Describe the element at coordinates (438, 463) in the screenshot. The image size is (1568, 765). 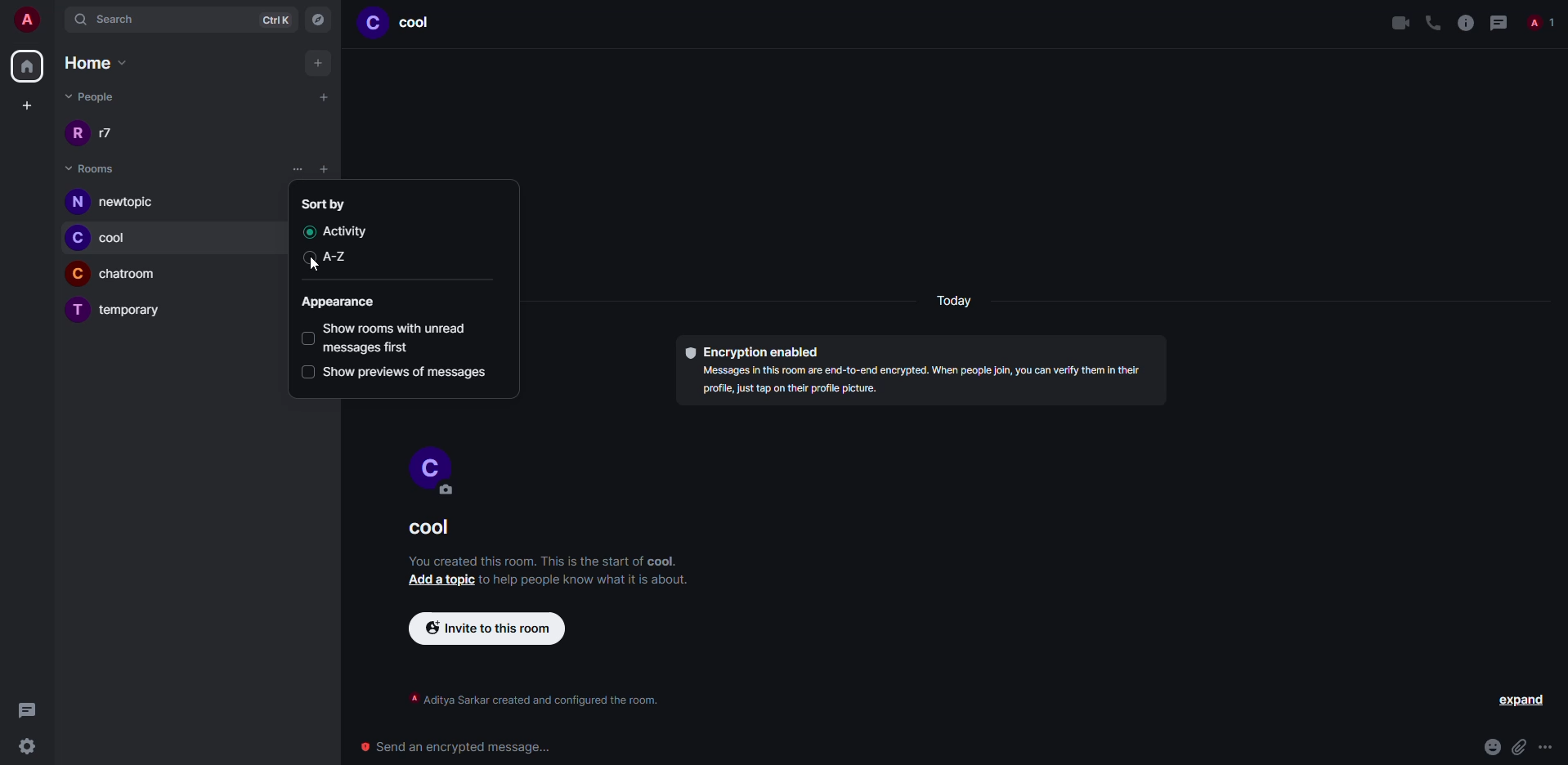
I see `profile` at that location.